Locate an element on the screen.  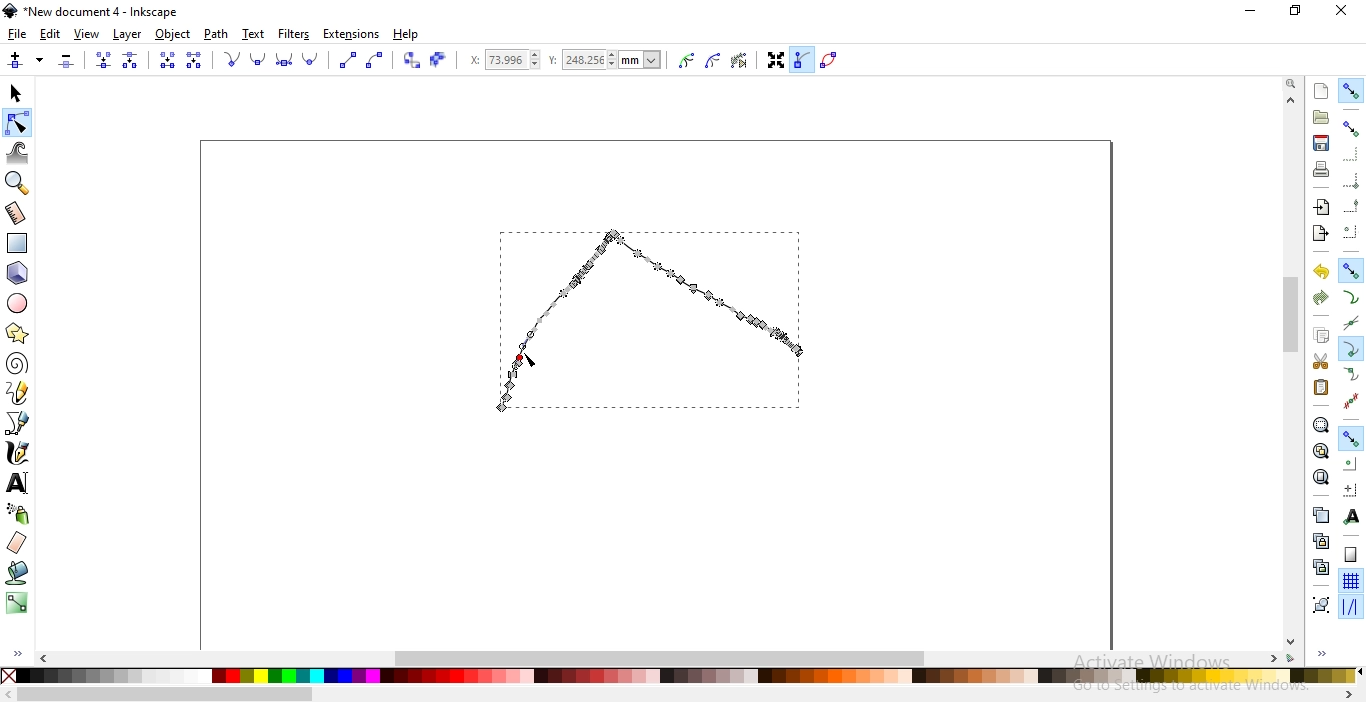
group selected objects is located at coordinates (1321, 604).